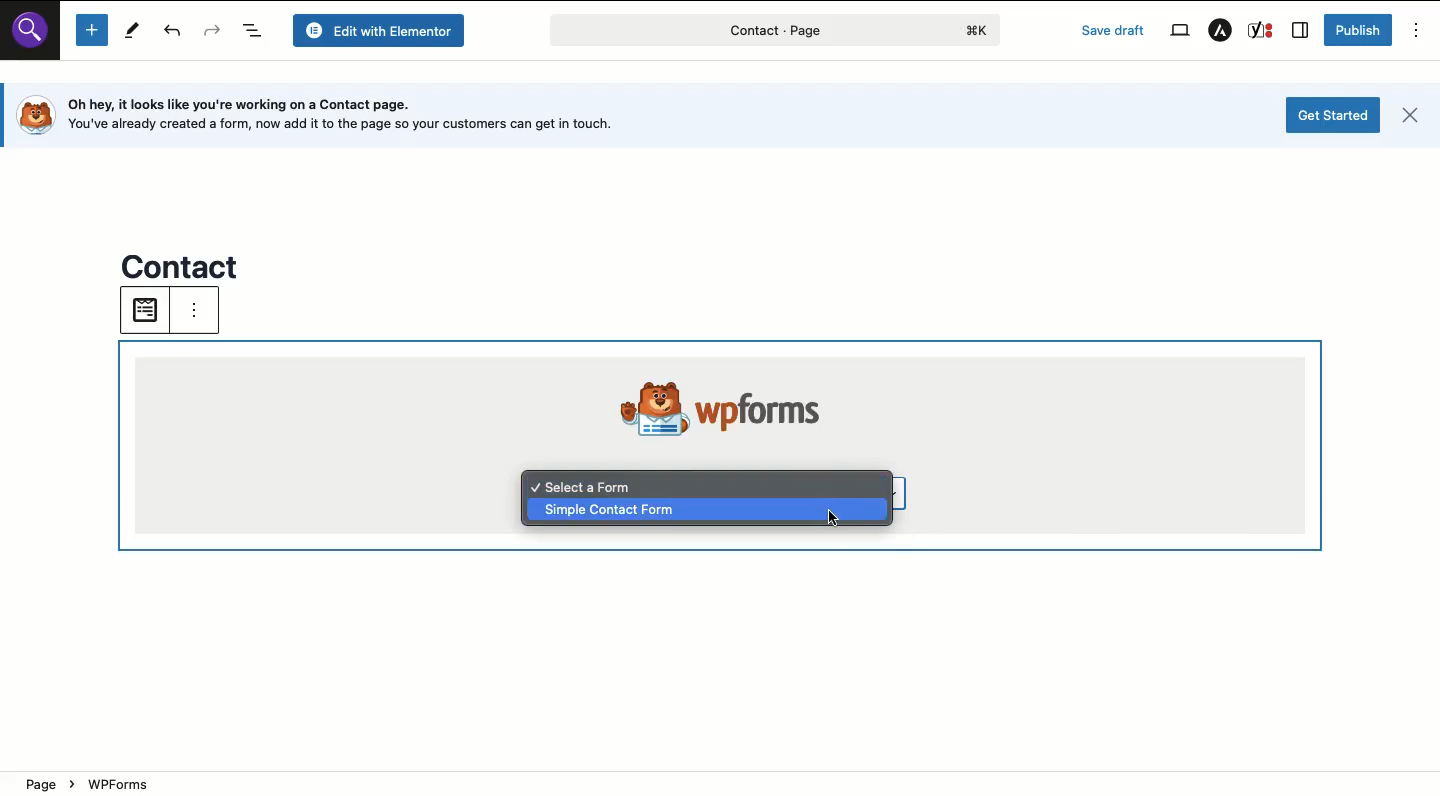  I want to click on emblem, so click(639, 404).